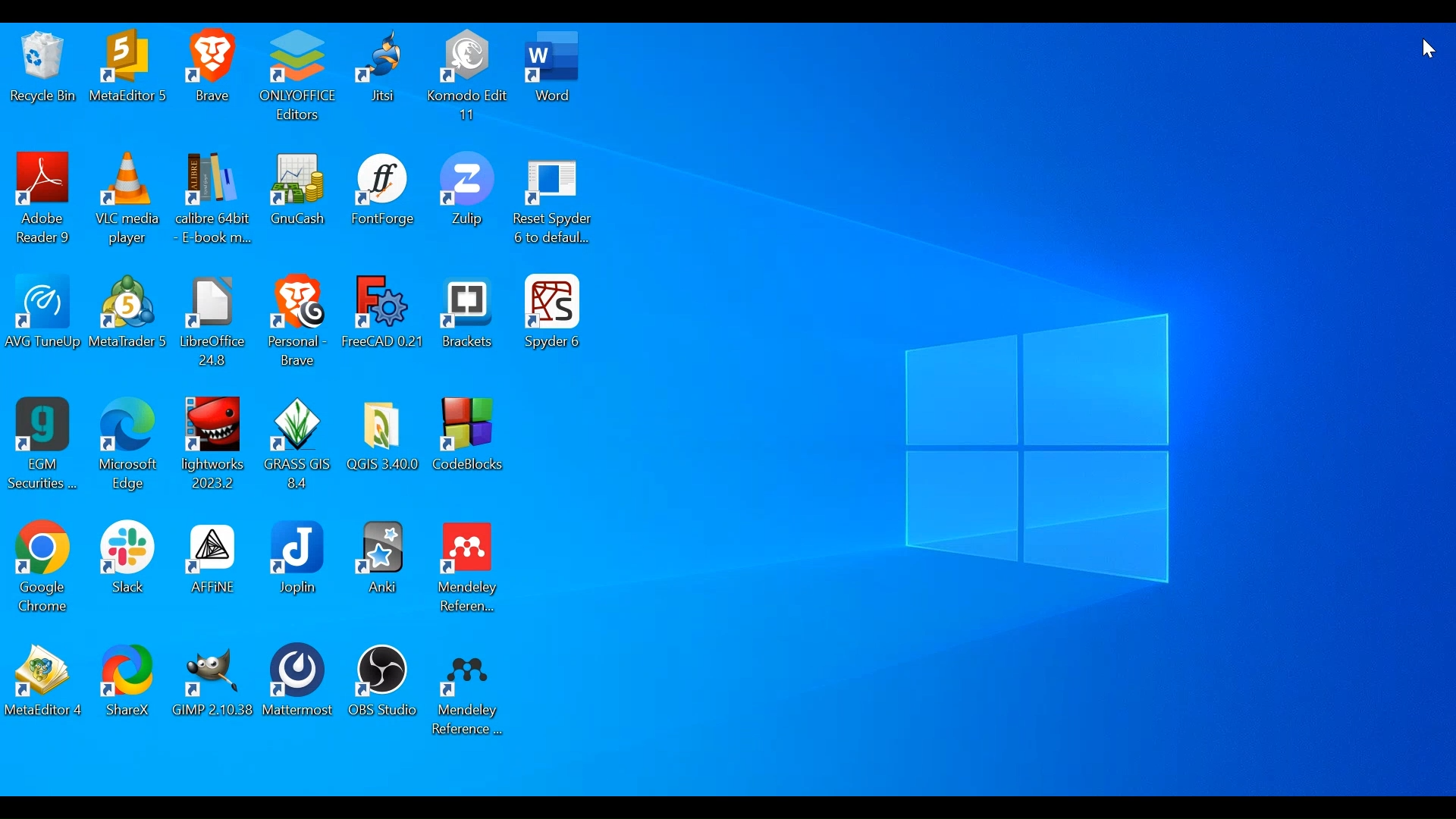  Describe the element at coordinates (44, 686) in the screenshot. I see `MetaEditor 4` at that location.